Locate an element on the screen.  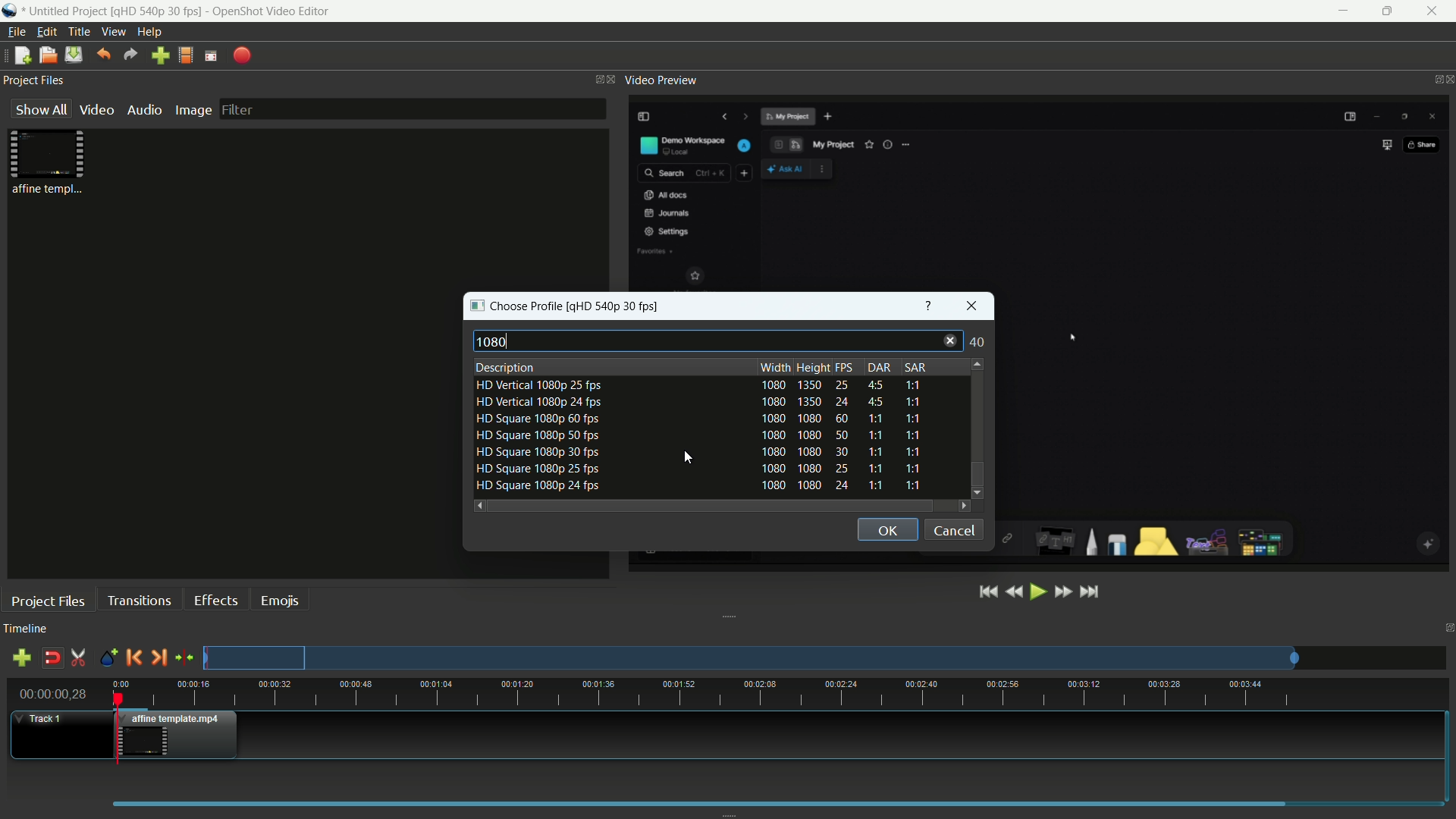
profile-6 is located at coordinates (695, 469).